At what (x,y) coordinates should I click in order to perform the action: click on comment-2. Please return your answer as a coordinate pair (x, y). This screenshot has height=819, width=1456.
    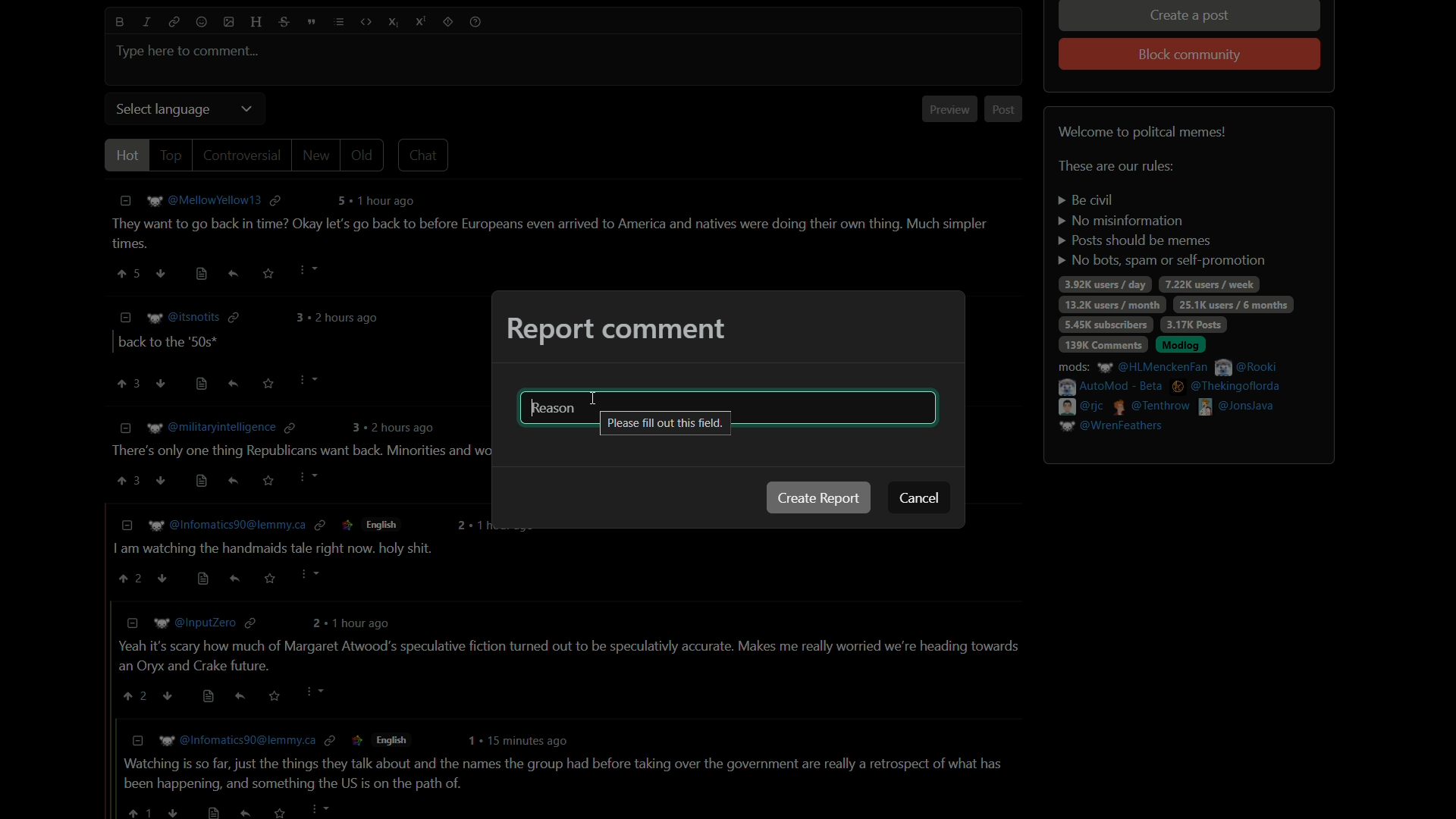
    Looking at the image, I should click on (167, 344).